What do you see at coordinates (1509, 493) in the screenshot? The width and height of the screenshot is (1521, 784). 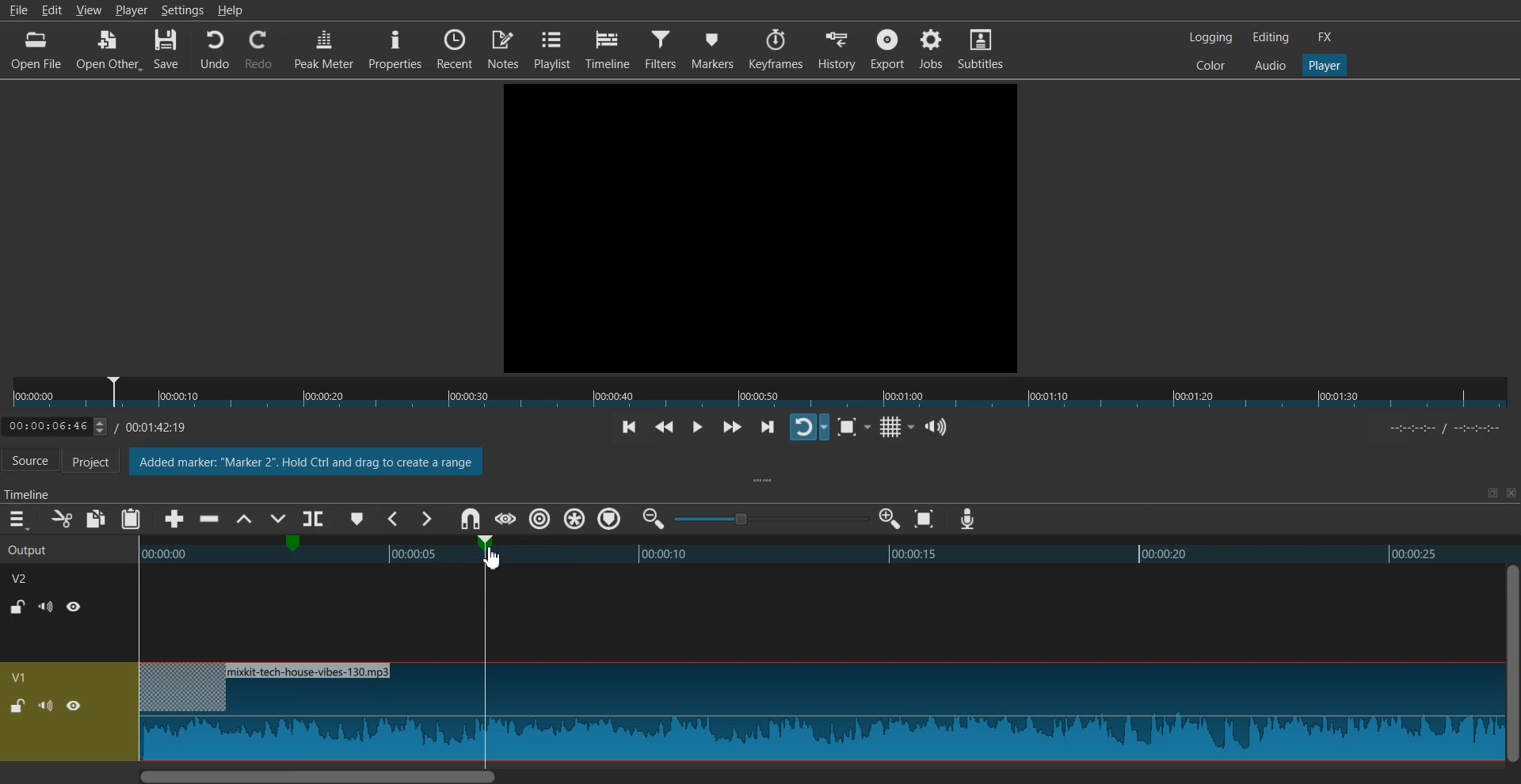 I see `Close` at bounding box center [1509, 493].